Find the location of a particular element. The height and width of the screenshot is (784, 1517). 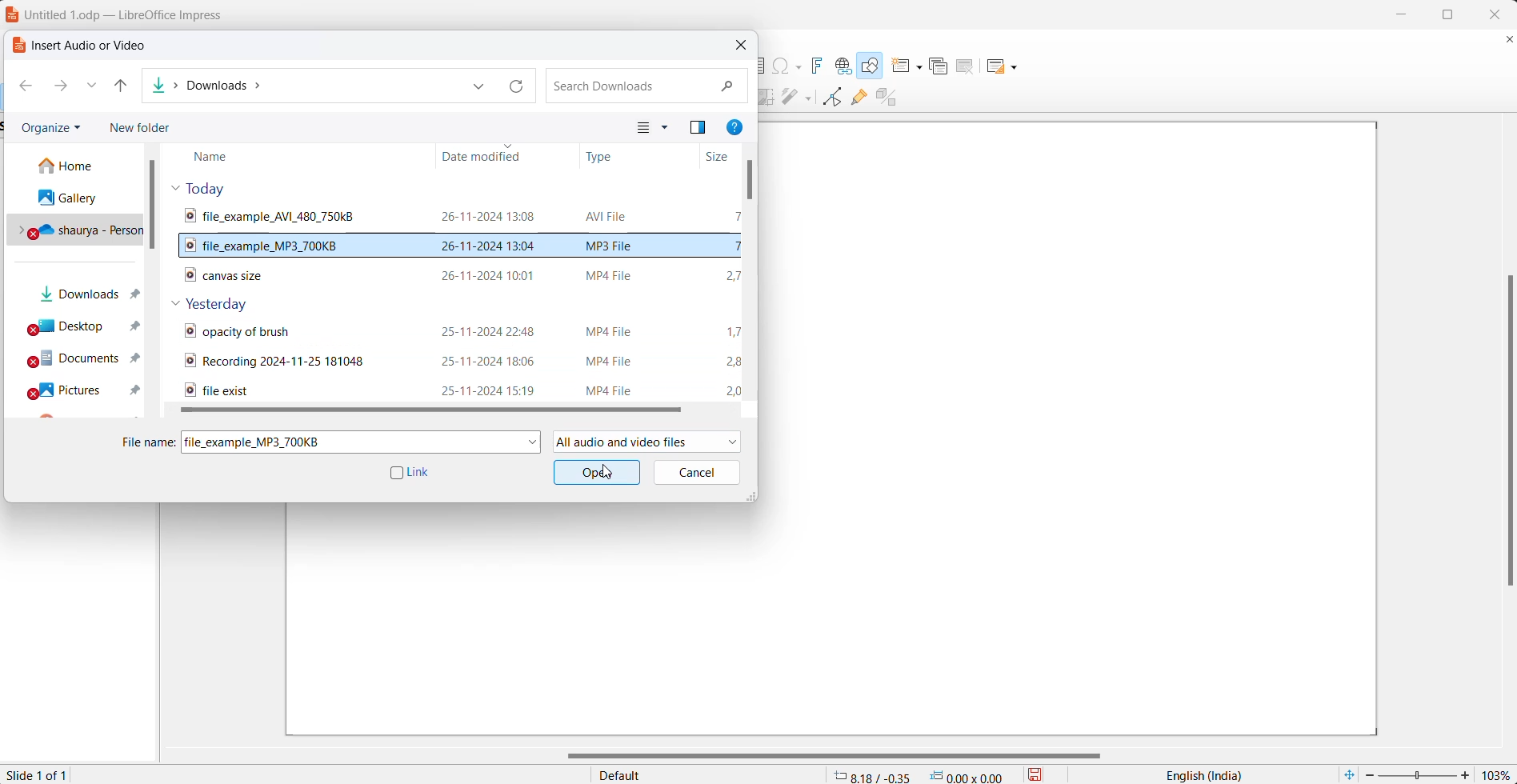

horizontal scroll bar is located at coordinates (446, 414).